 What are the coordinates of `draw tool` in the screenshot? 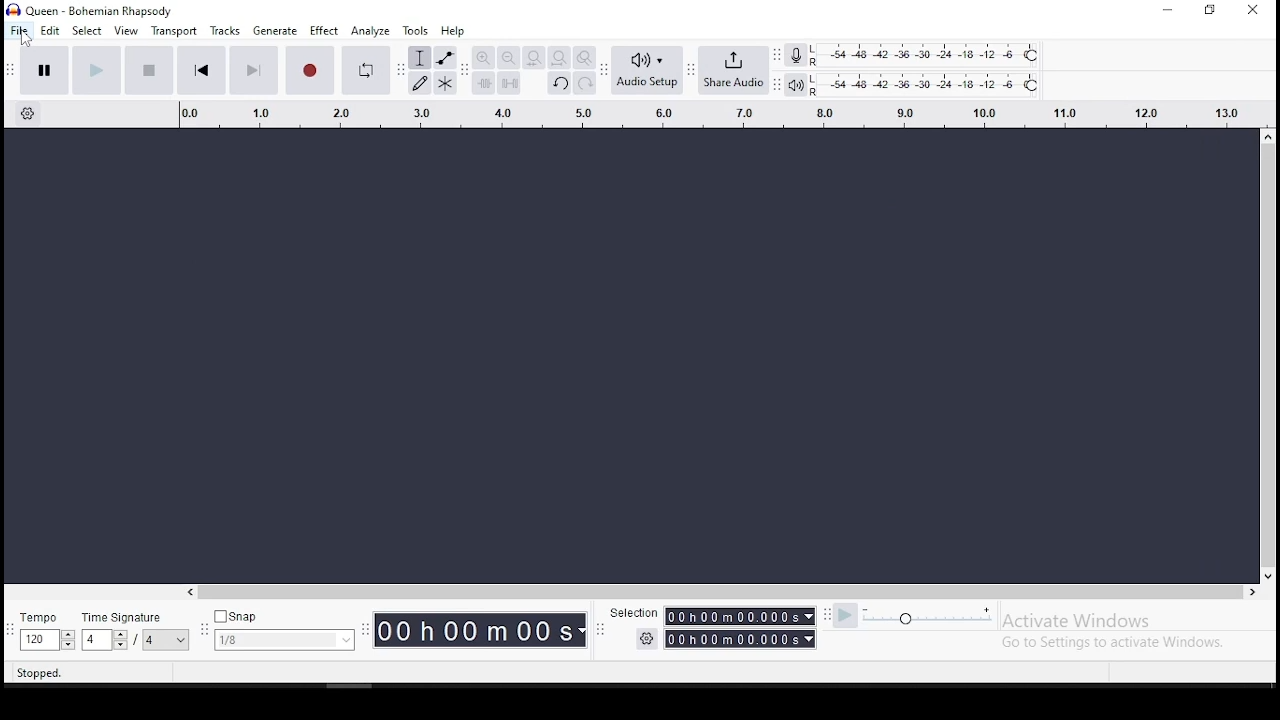 It's located at (420, 83).